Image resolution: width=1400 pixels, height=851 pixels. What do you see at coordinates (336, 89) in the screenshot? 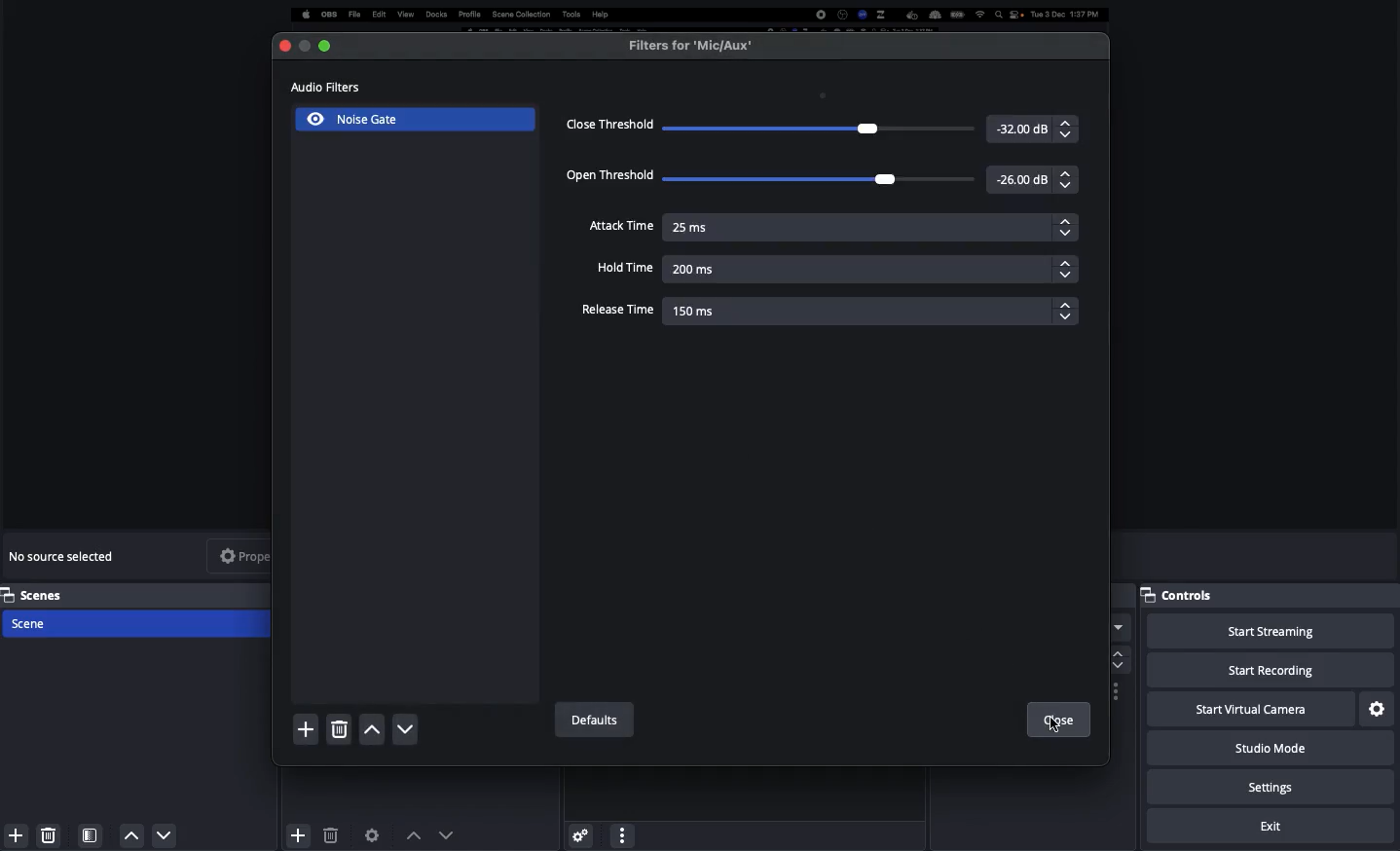
I see `Audio Filters` at bounding box center [336, 89].